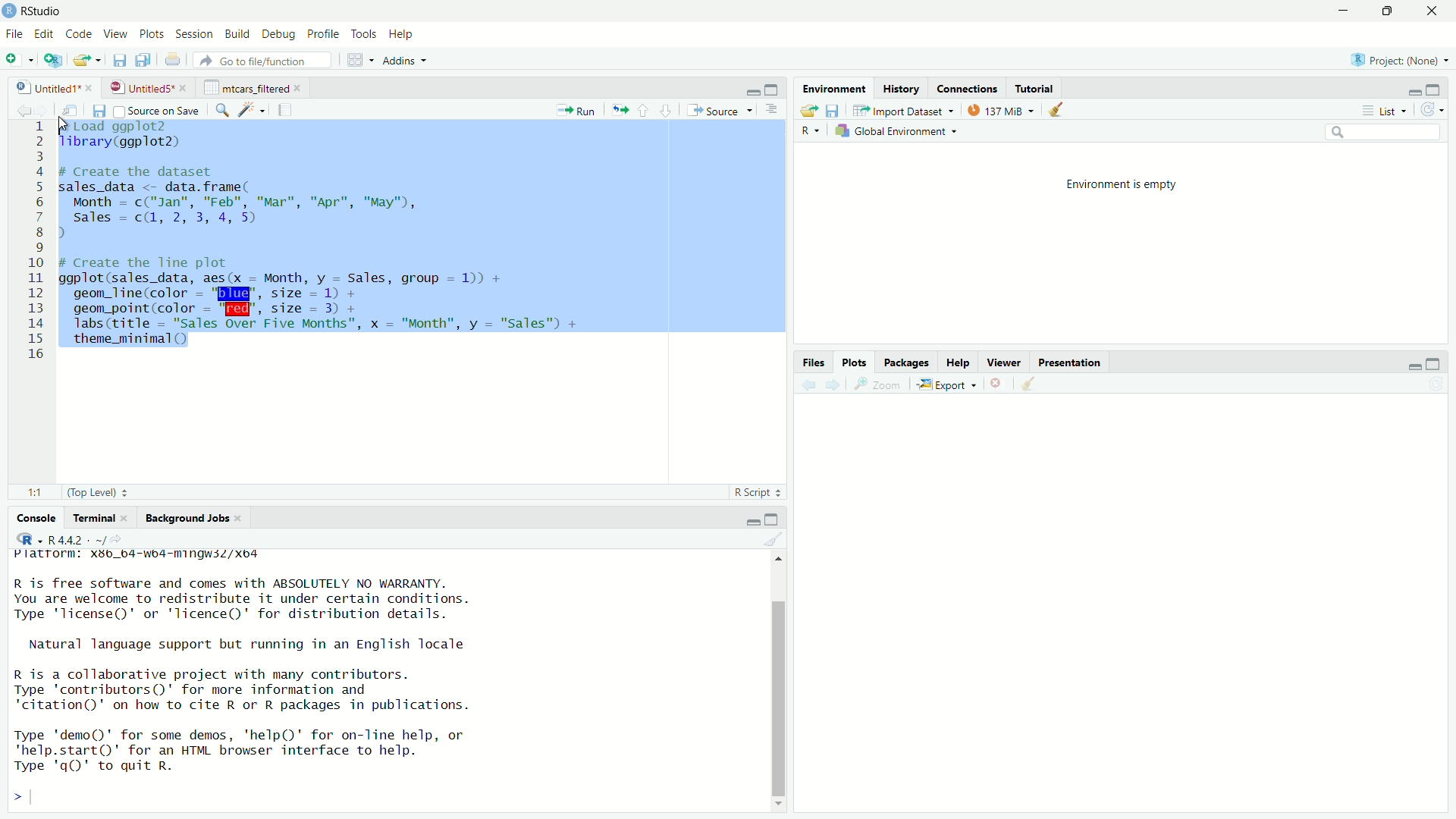  I want to click on Packages, so click(907, 362).